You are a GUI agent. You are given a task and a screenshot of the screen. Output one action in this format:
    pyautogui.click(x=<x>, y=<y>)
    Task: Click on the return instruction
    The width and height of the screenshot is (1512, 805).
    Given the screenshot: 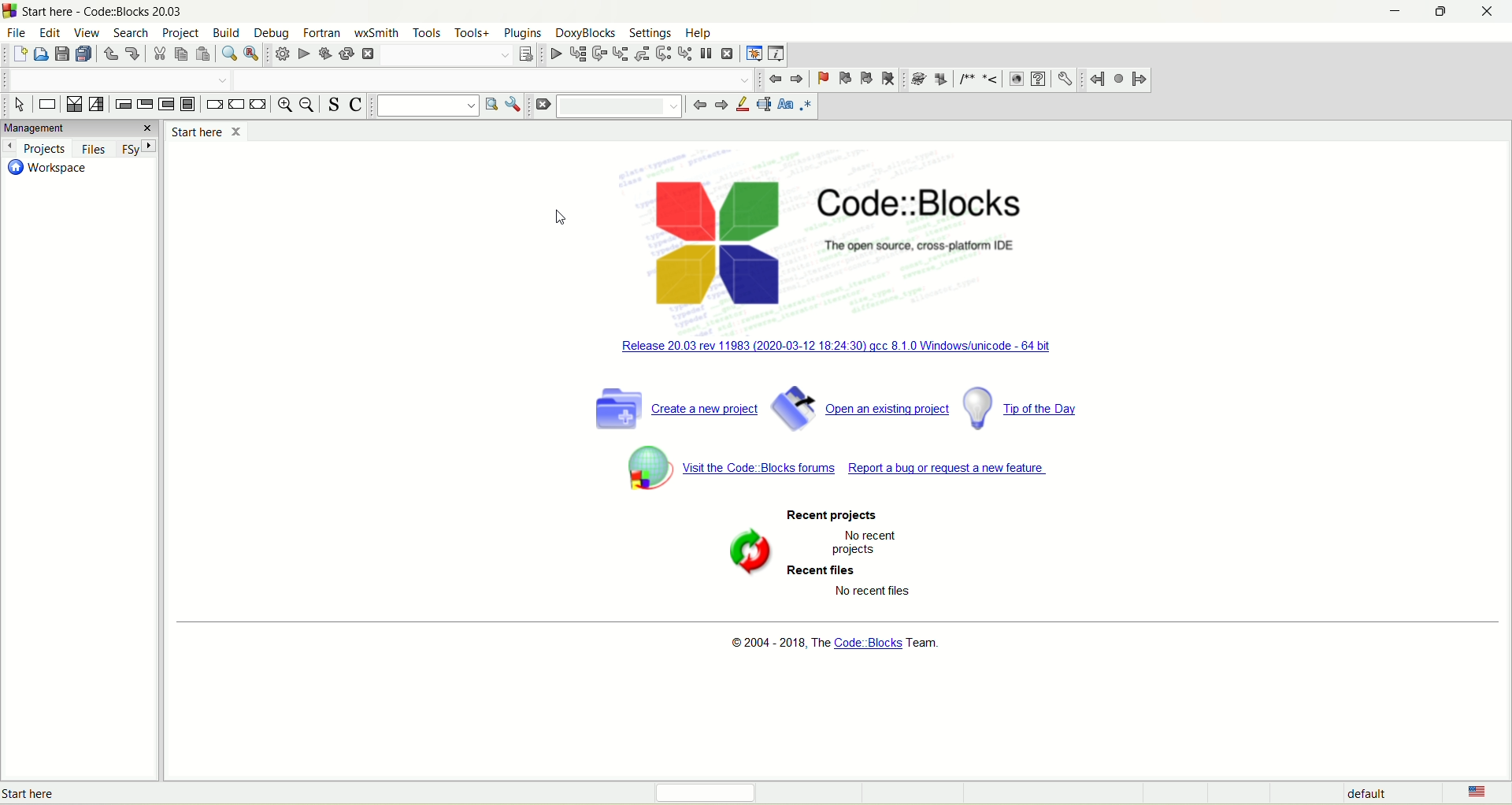 What is the action you would take?
    pyautogui.click(x=259, y=105)
    